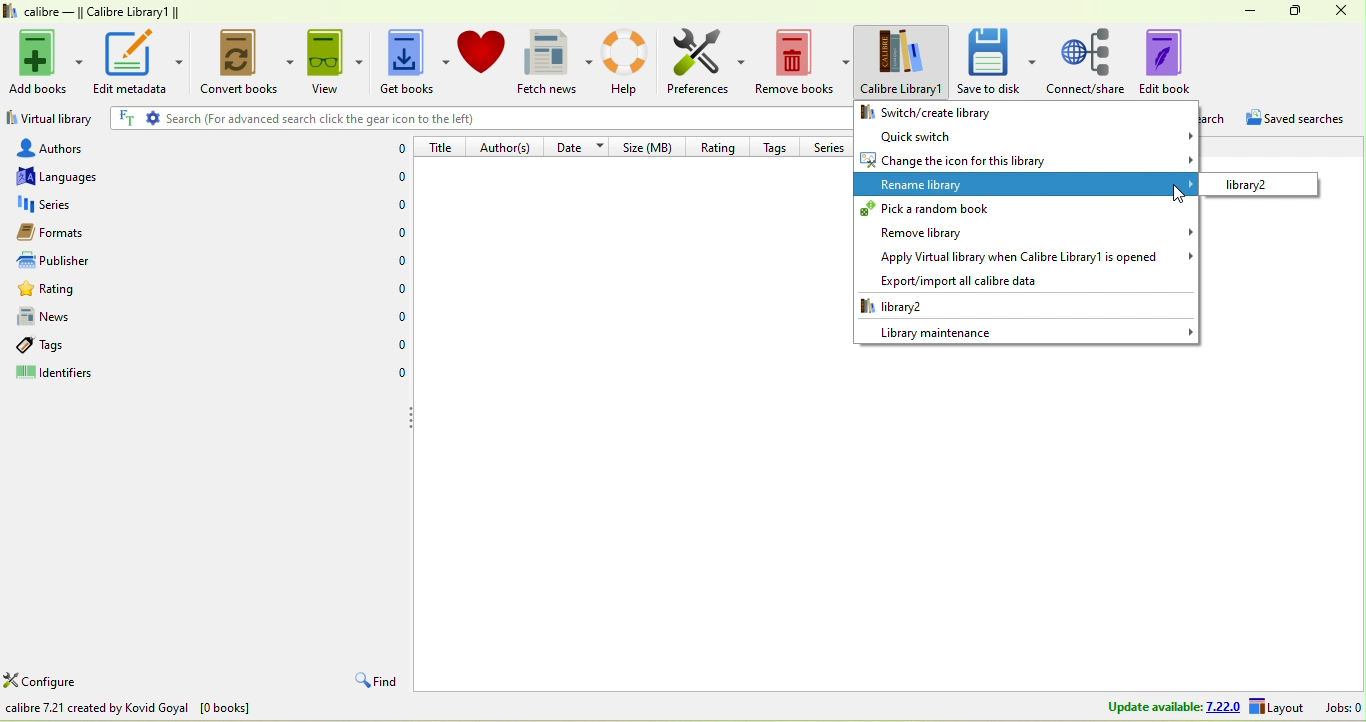 This screenshot has width=1366, height=722. What do you see at coordinates (707, 63) in the screenshot?
I see `preference` at bounding box center [707, 63].